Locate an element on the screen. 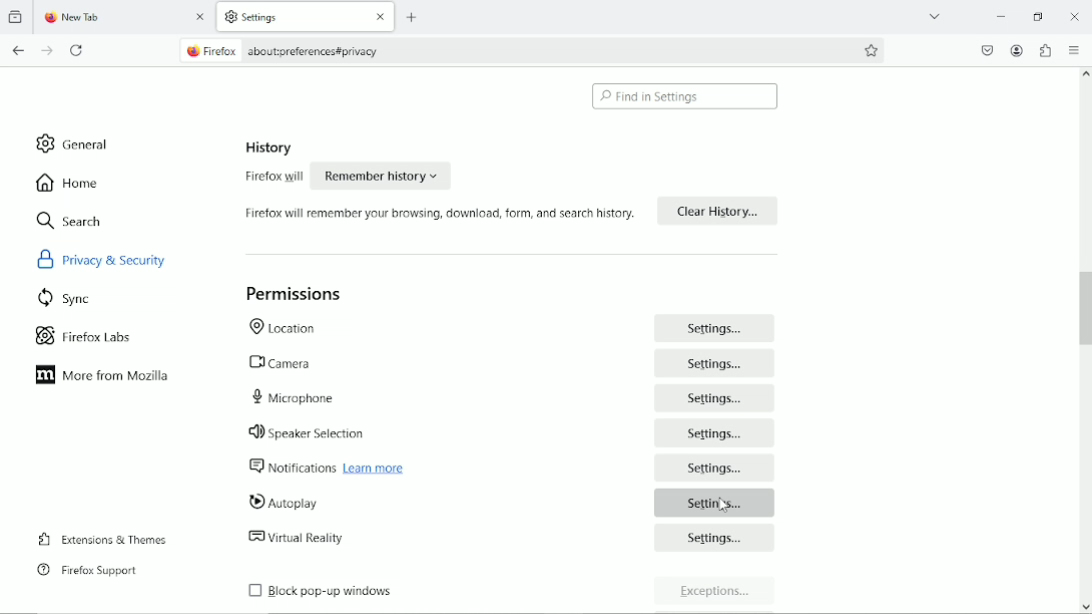 This screenshot has width=1092, height=614. settings is located at coordinates (275, 18).